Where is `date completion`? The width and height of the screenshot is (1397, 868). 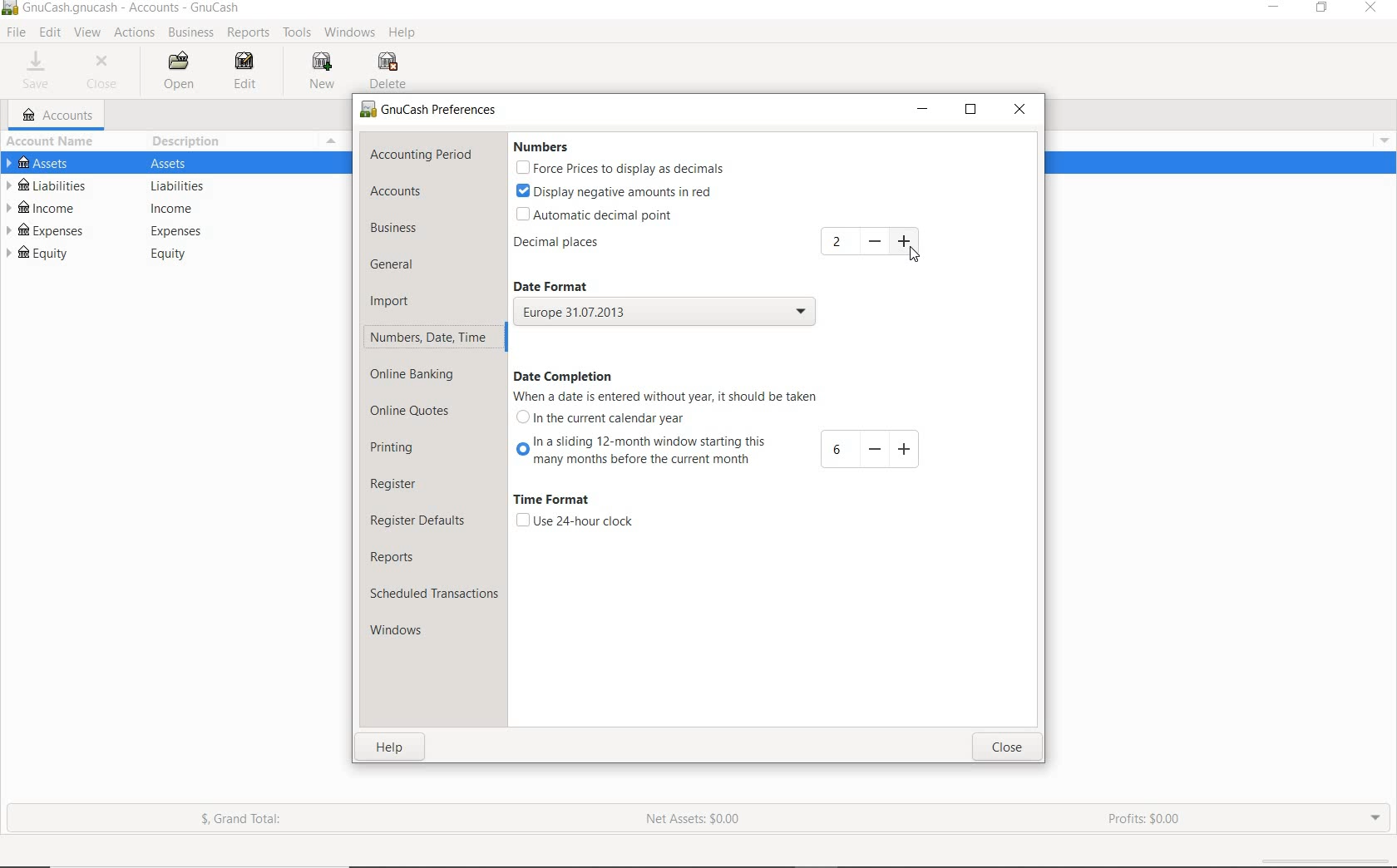 date completion is located at coordinates (565, 376).